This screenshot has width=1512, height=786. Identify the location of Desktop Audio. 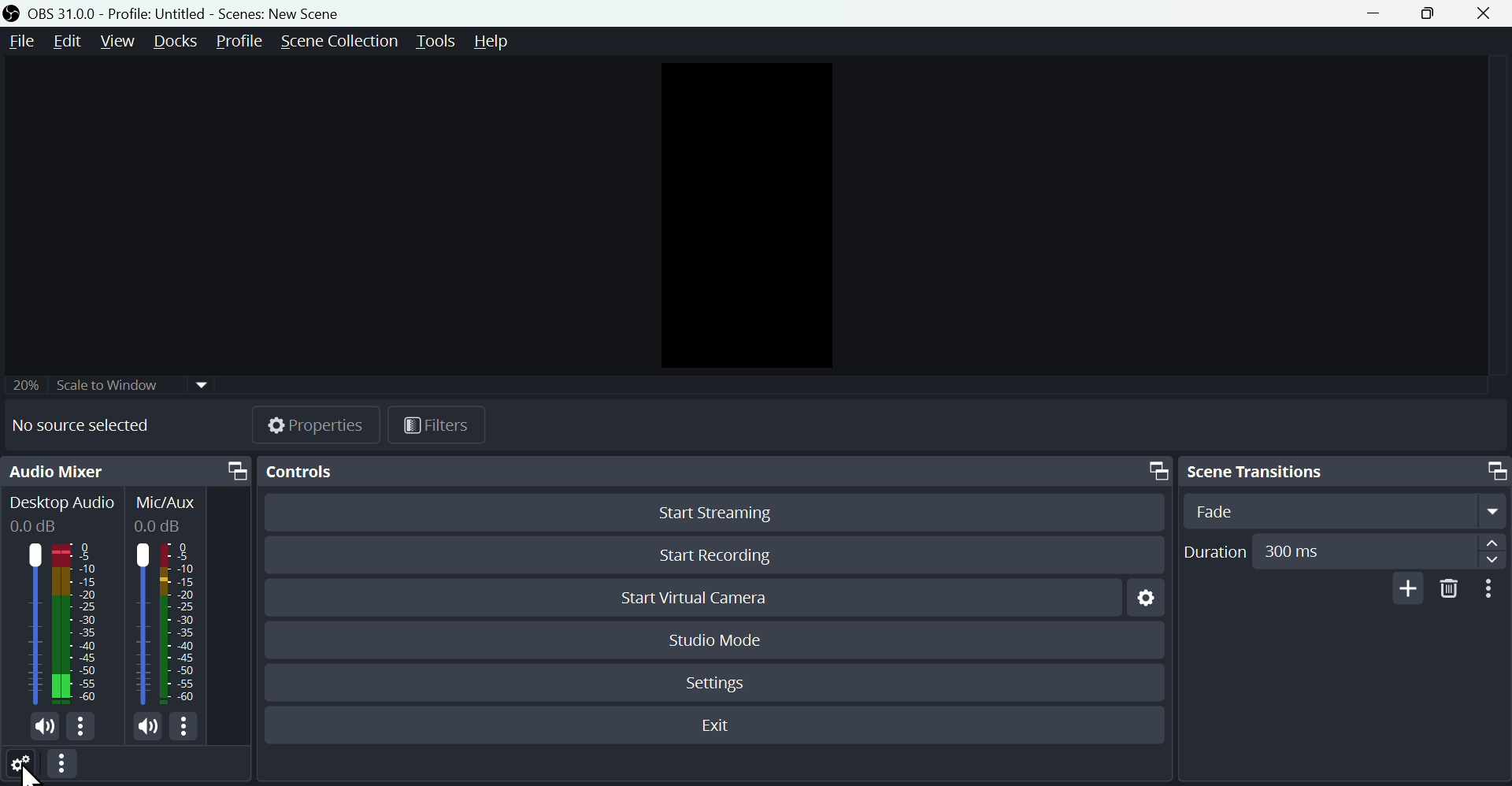
(82, 624).